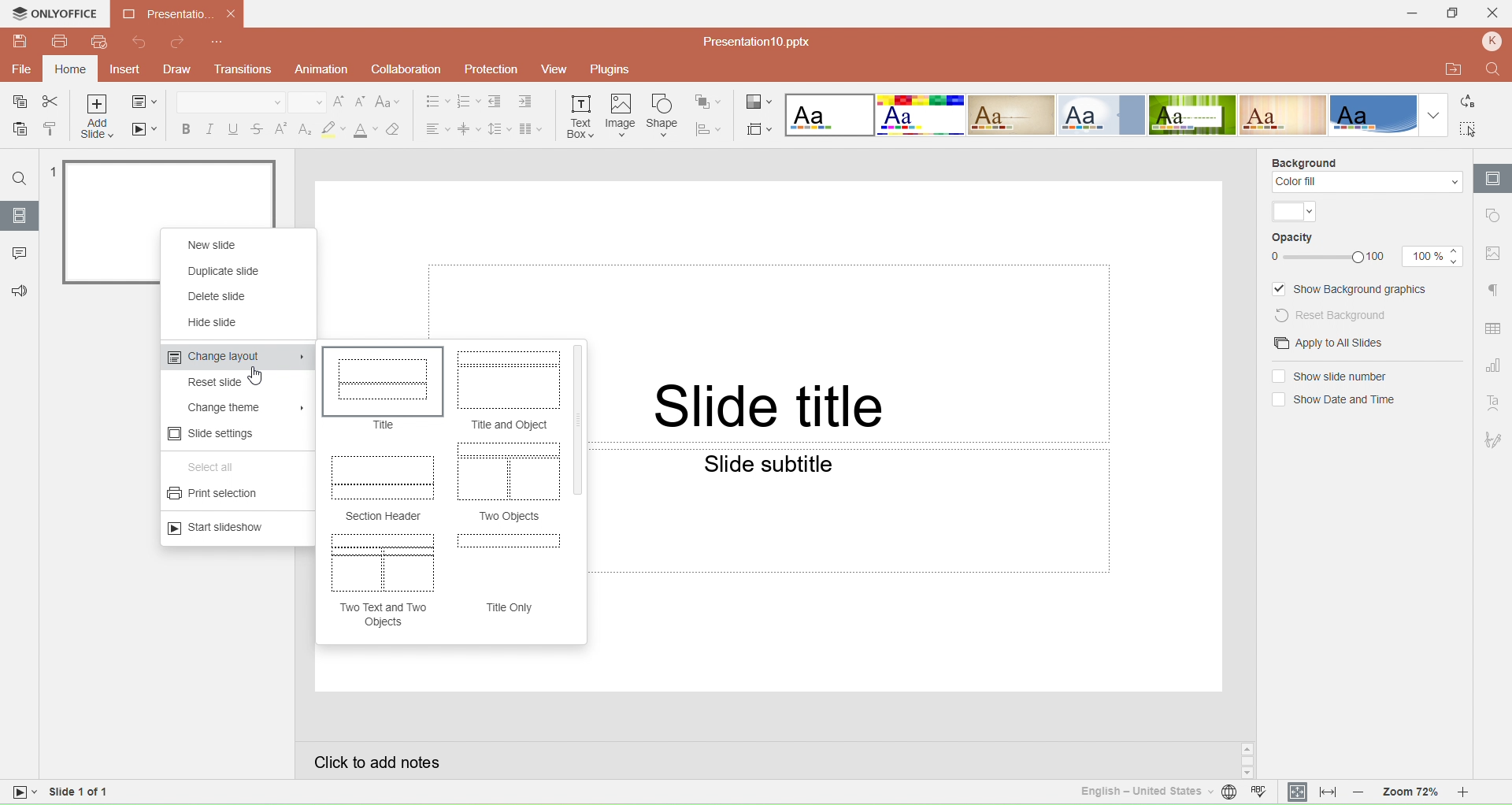 The height and width of the screenshot is (805, 1512). Describe the element at coordinates (527, 103) in the screenshot. I see `Increase indent` at that location.